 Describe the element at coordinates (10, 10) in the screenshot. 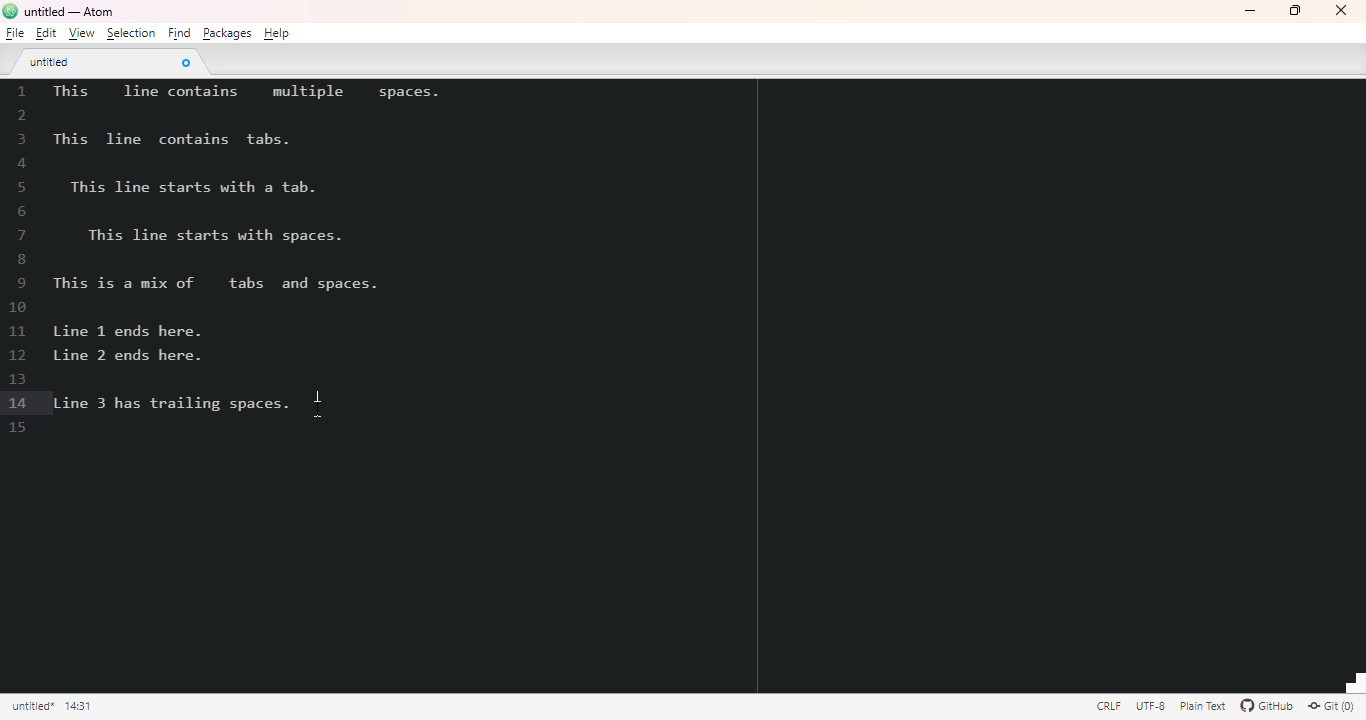

I see `logo` at that location.